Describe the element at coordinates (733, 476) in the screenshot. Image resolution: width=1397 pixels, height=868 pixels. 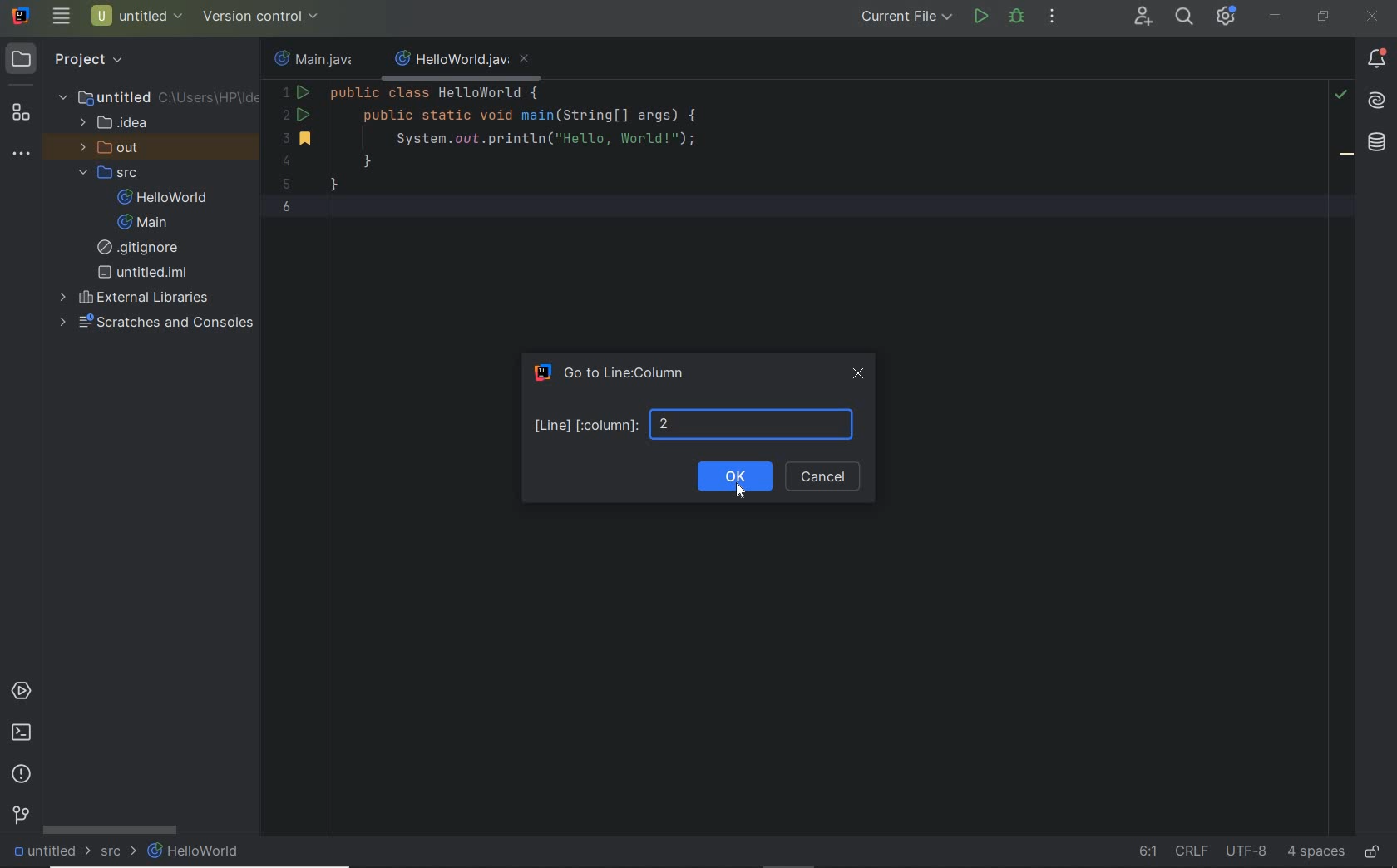
I see `ok` at that location.